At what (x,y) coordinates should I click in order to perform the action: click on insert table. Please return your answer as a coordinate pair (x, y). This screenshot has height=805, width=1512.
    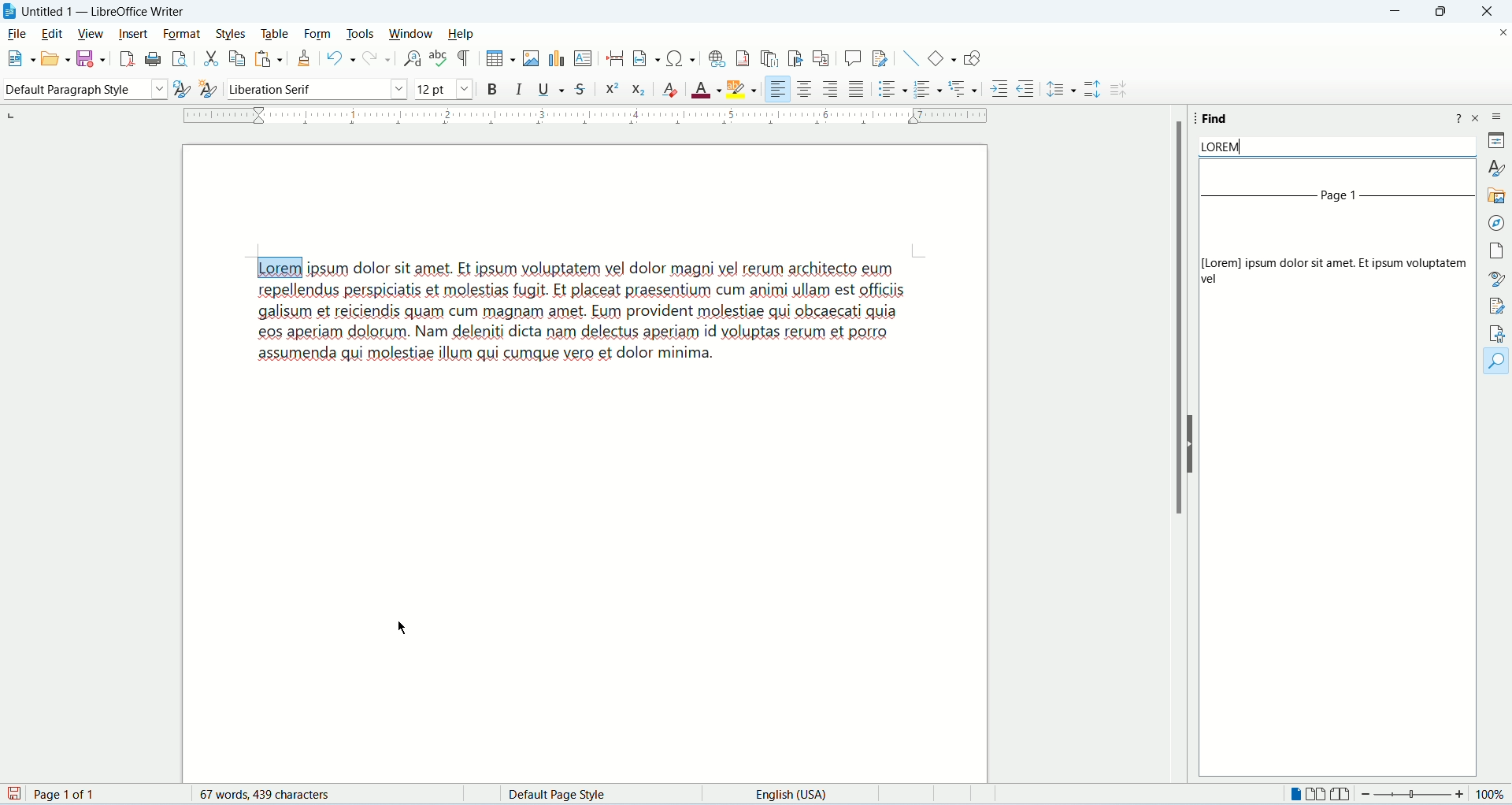
    Looking at the image, I should click on (495, 58).